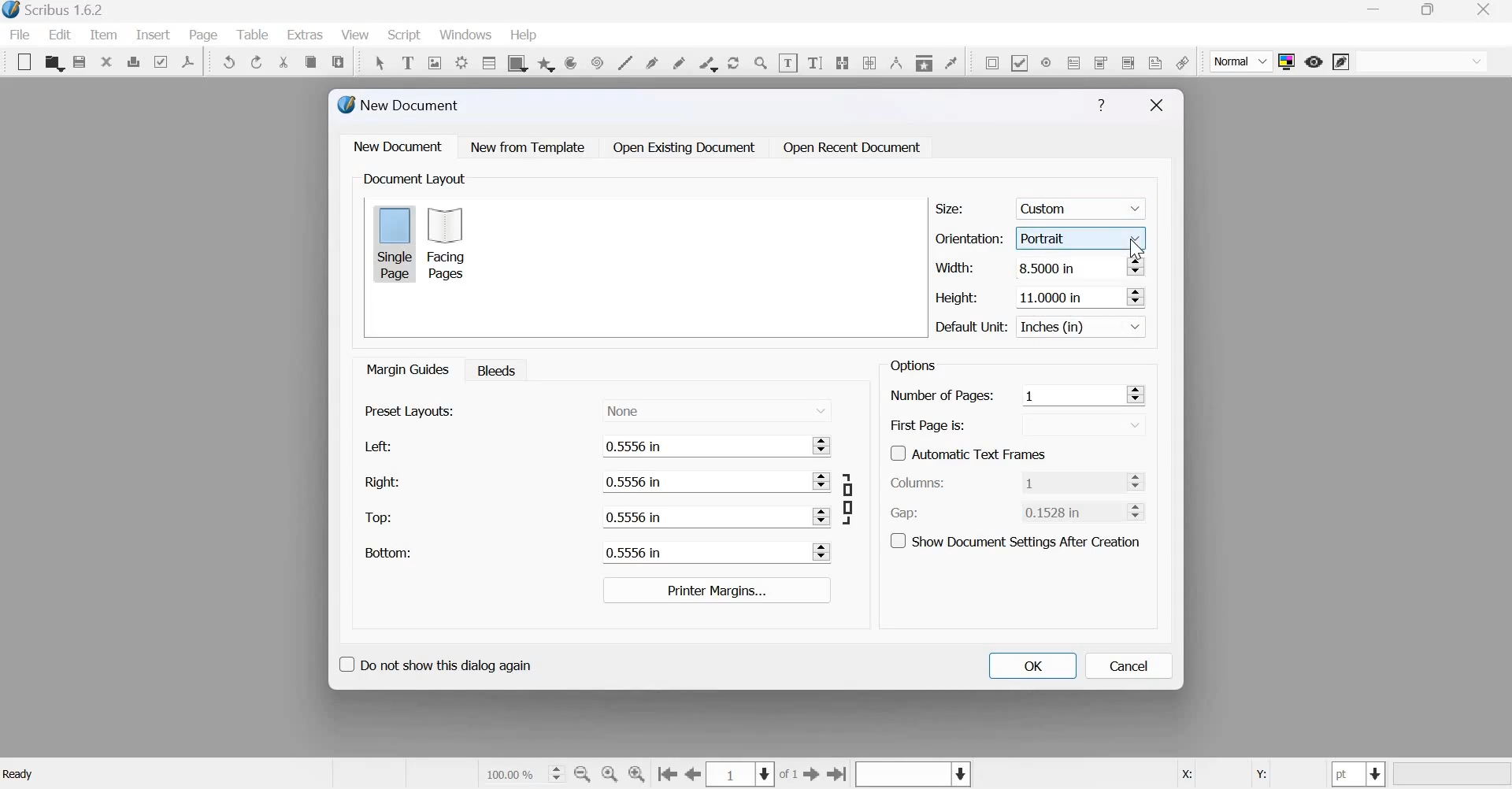 This screenshot has height=789, width=1512. What do you see at coordinates (950, 209) in the screenshot?
I see `Size: ` at bounding box center [950, 209].